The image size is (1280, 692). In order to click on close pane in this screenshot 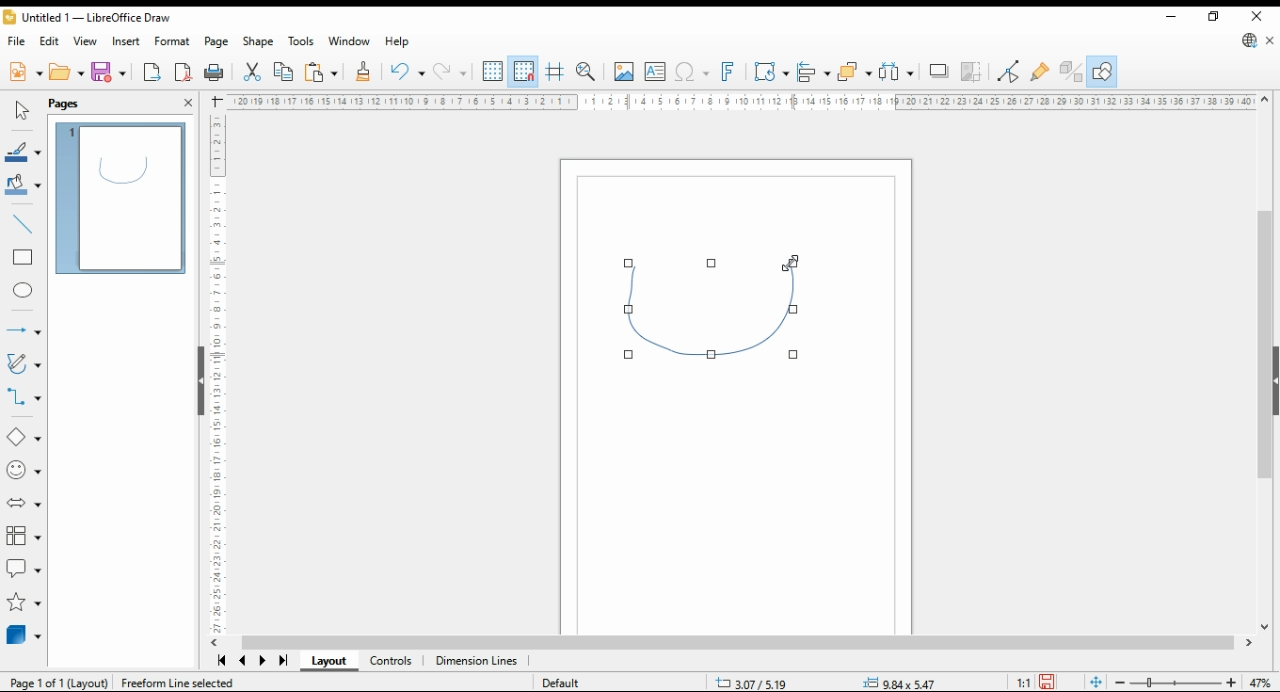, I will do `click(186, 103)`.